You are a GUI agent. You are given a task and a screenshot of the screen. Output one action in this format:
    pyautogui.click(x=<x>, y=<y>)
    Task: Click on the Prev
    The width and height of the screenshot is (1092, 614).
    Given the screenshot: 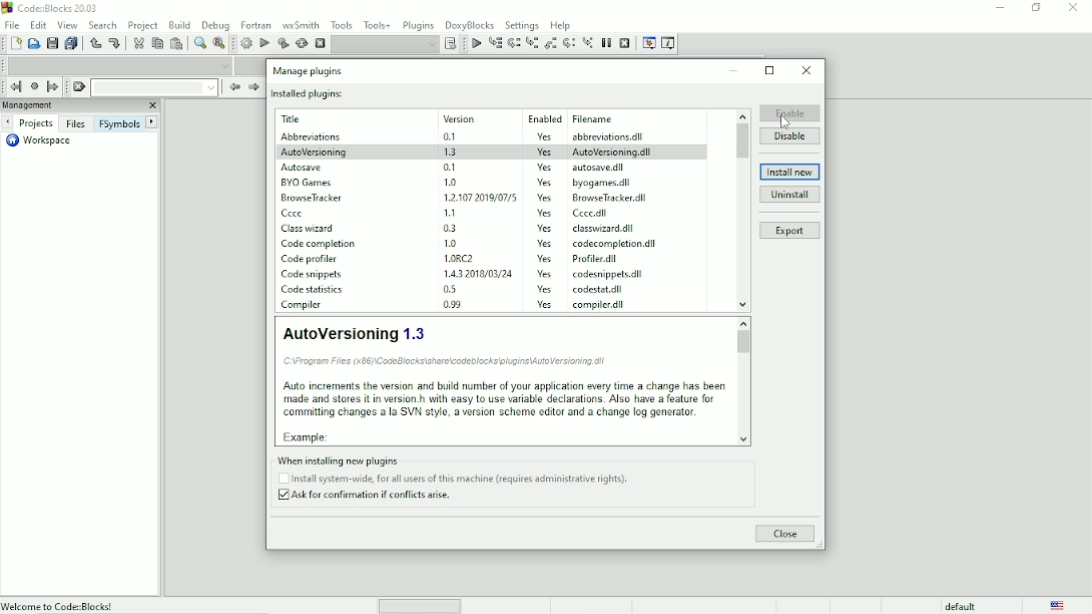 What is the action you would take?
    pyautogui.click(x=9, y=122)
    